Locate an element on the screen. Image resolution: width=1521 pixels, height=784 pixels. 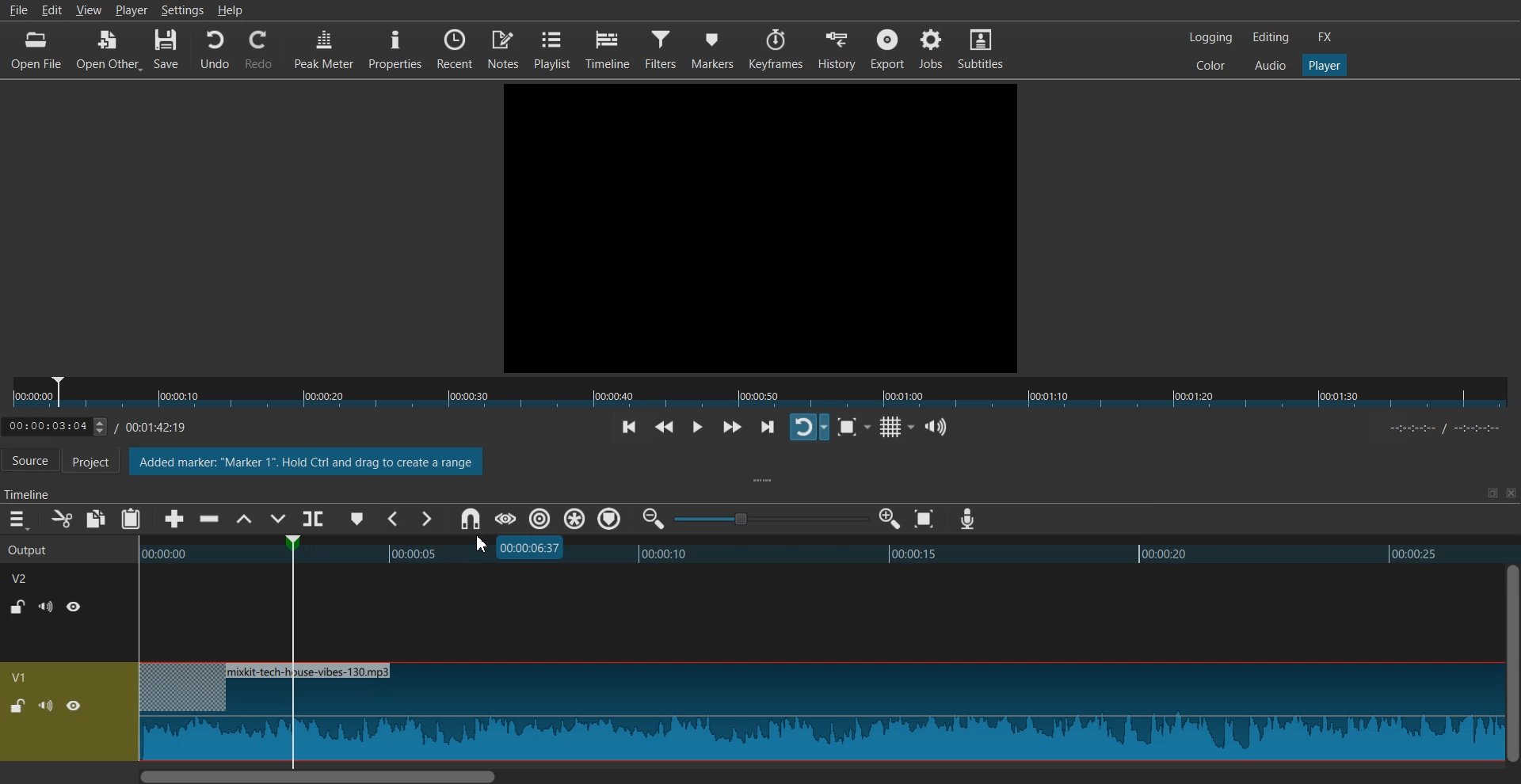
Player is located at coordinates (132, 10).